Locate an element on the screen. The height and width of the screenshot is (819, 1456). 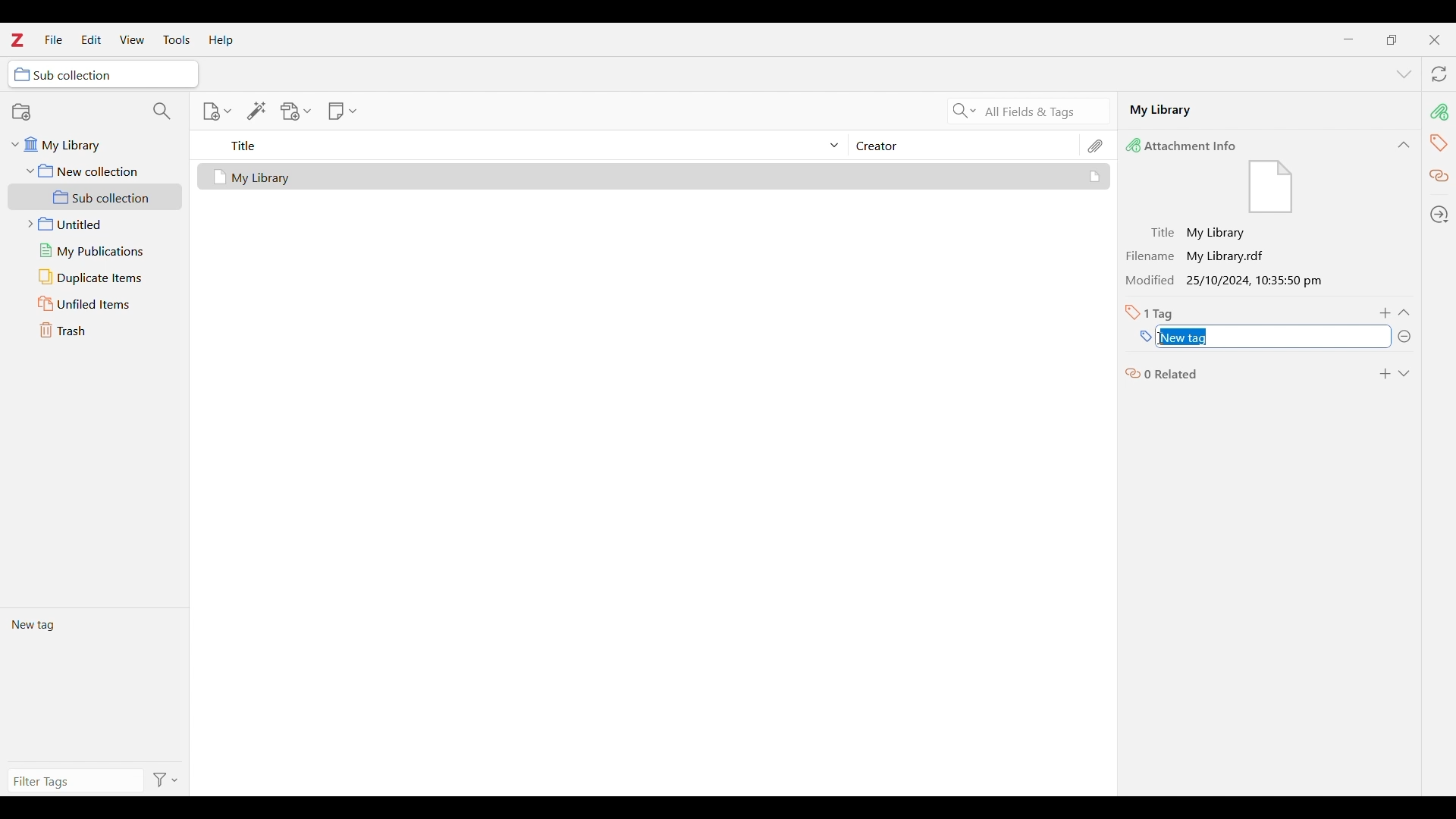
Attachment Info is located at coordinates (1185, 145).